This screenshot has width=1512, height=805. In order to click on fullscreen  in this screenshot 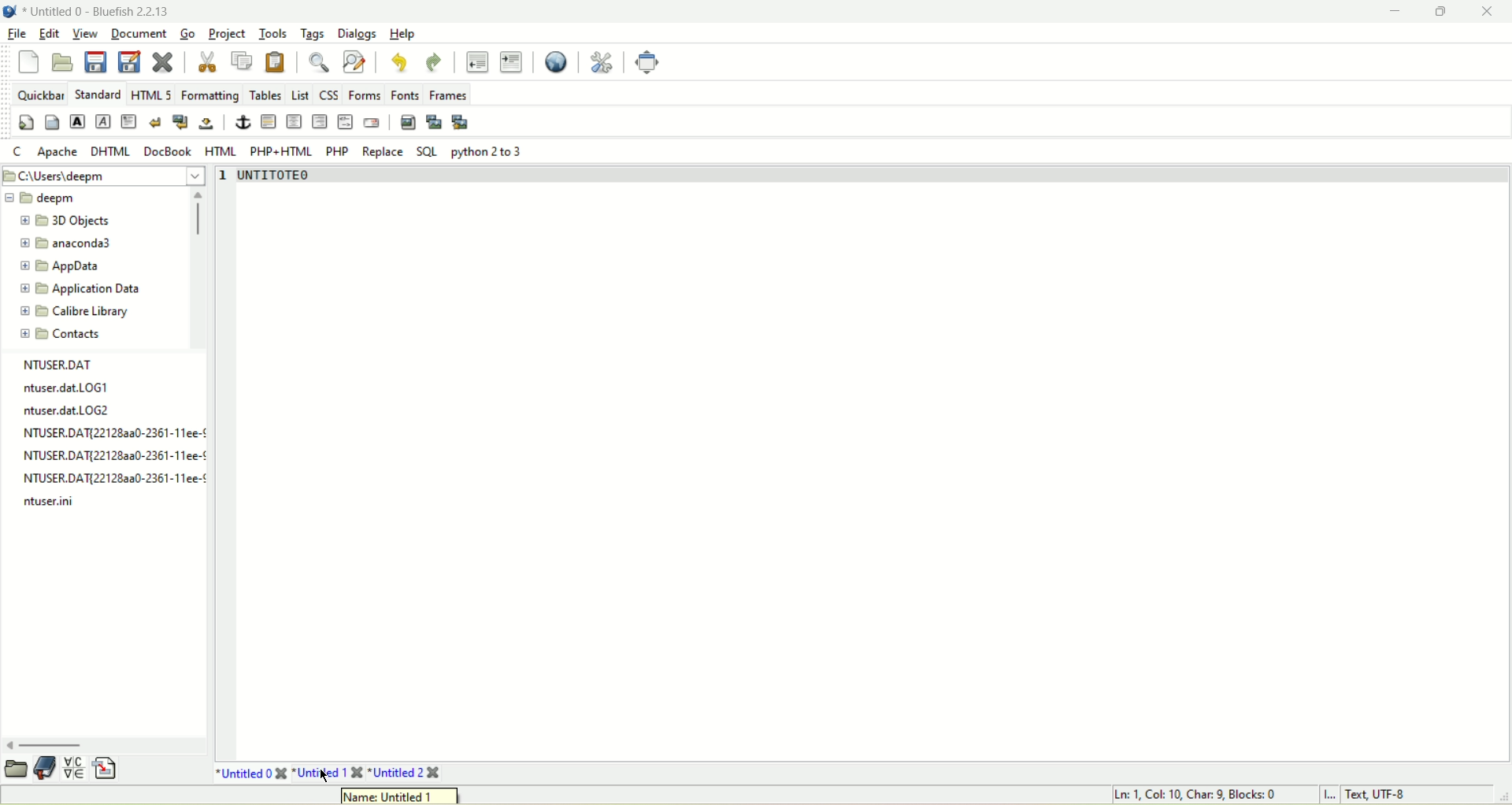, I will do `click(649, 61)`.